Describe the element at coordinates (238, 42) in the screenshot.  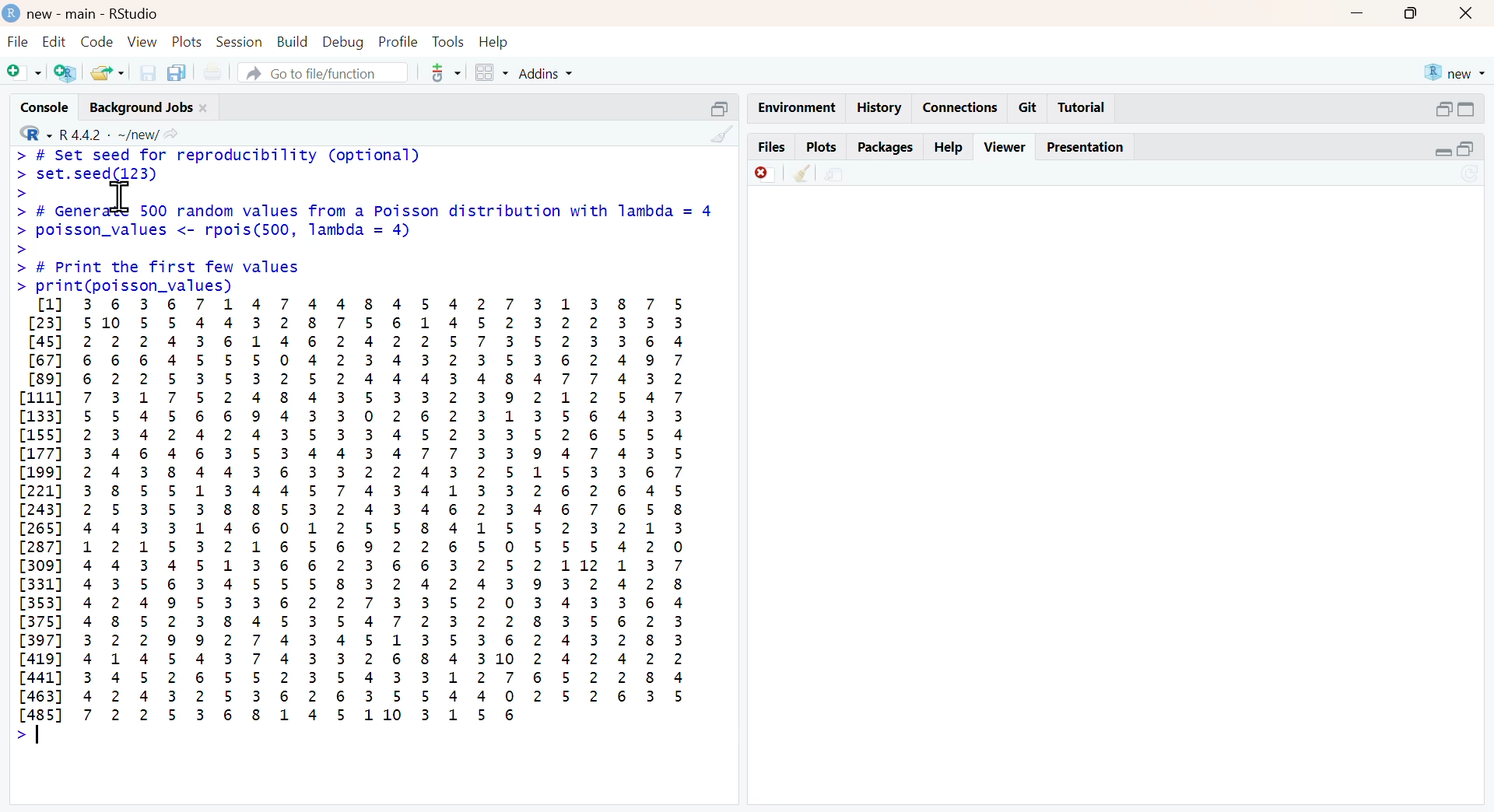
I see `session` at that location.